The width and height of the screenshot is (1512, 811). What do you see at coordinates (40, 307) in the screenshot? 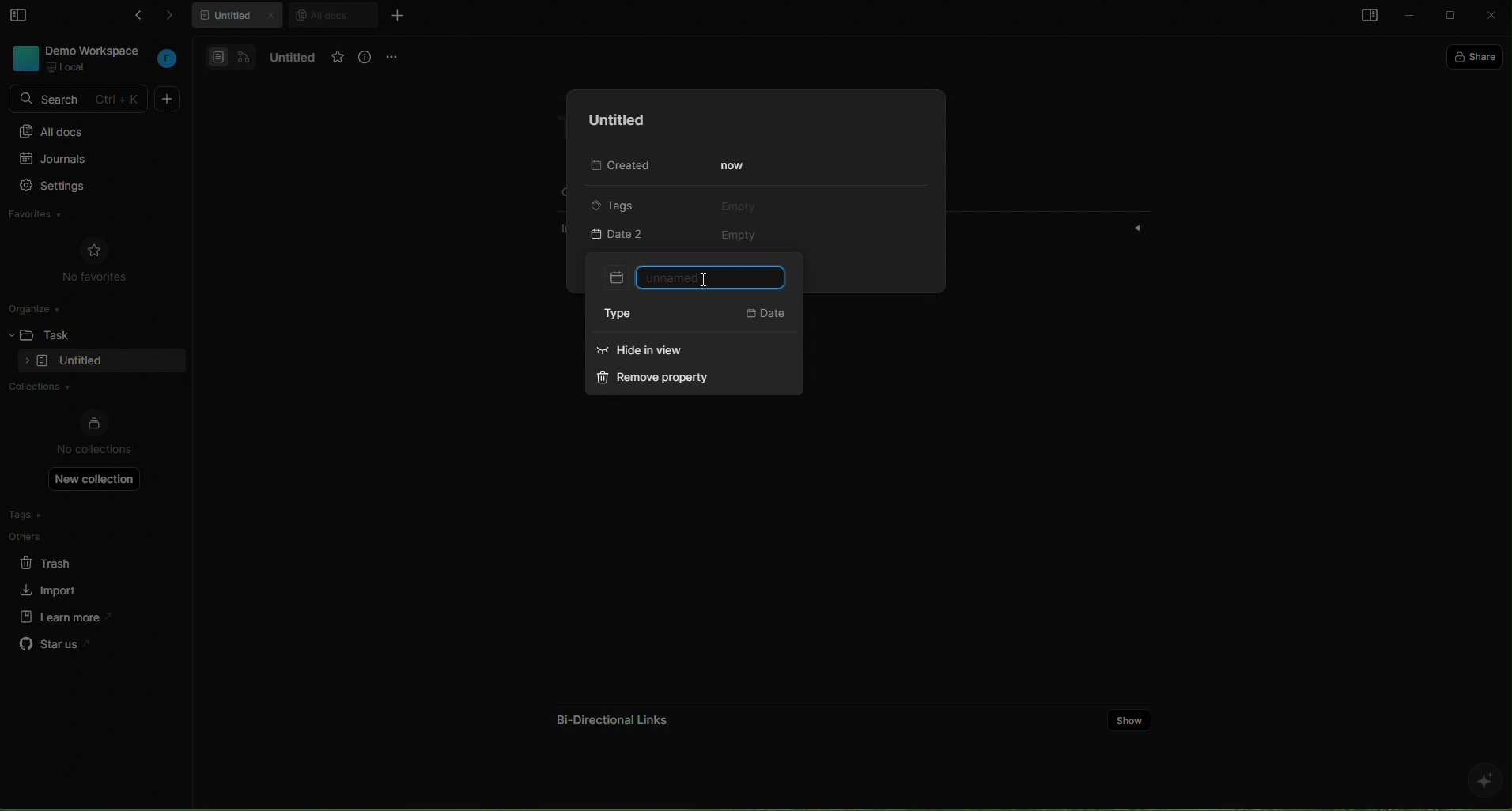
I see `organize` at bounding box center [40, 307].